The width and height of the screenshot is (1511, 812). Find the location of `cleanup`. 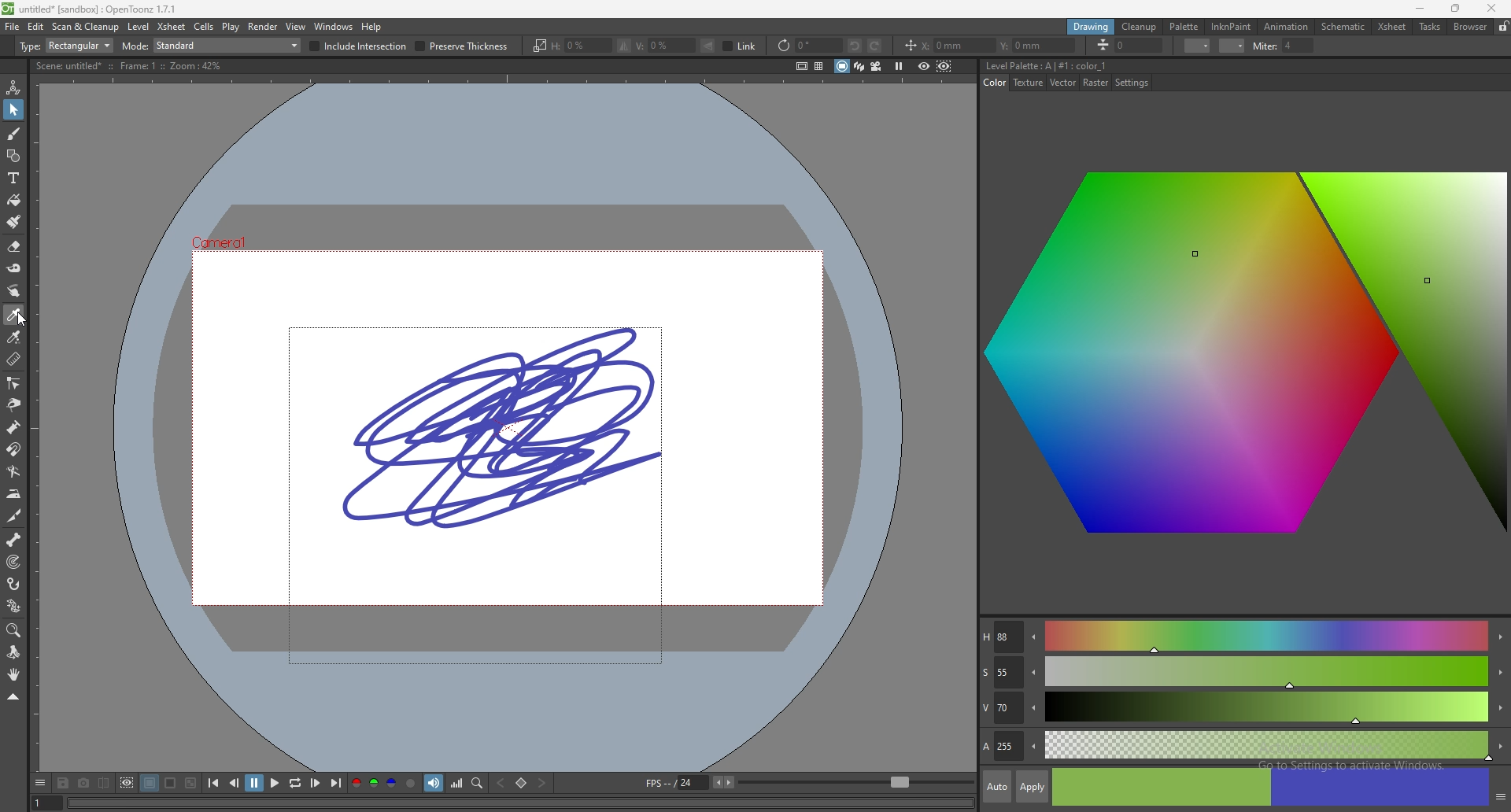

cleanup is located at coordinates (1141, 28).